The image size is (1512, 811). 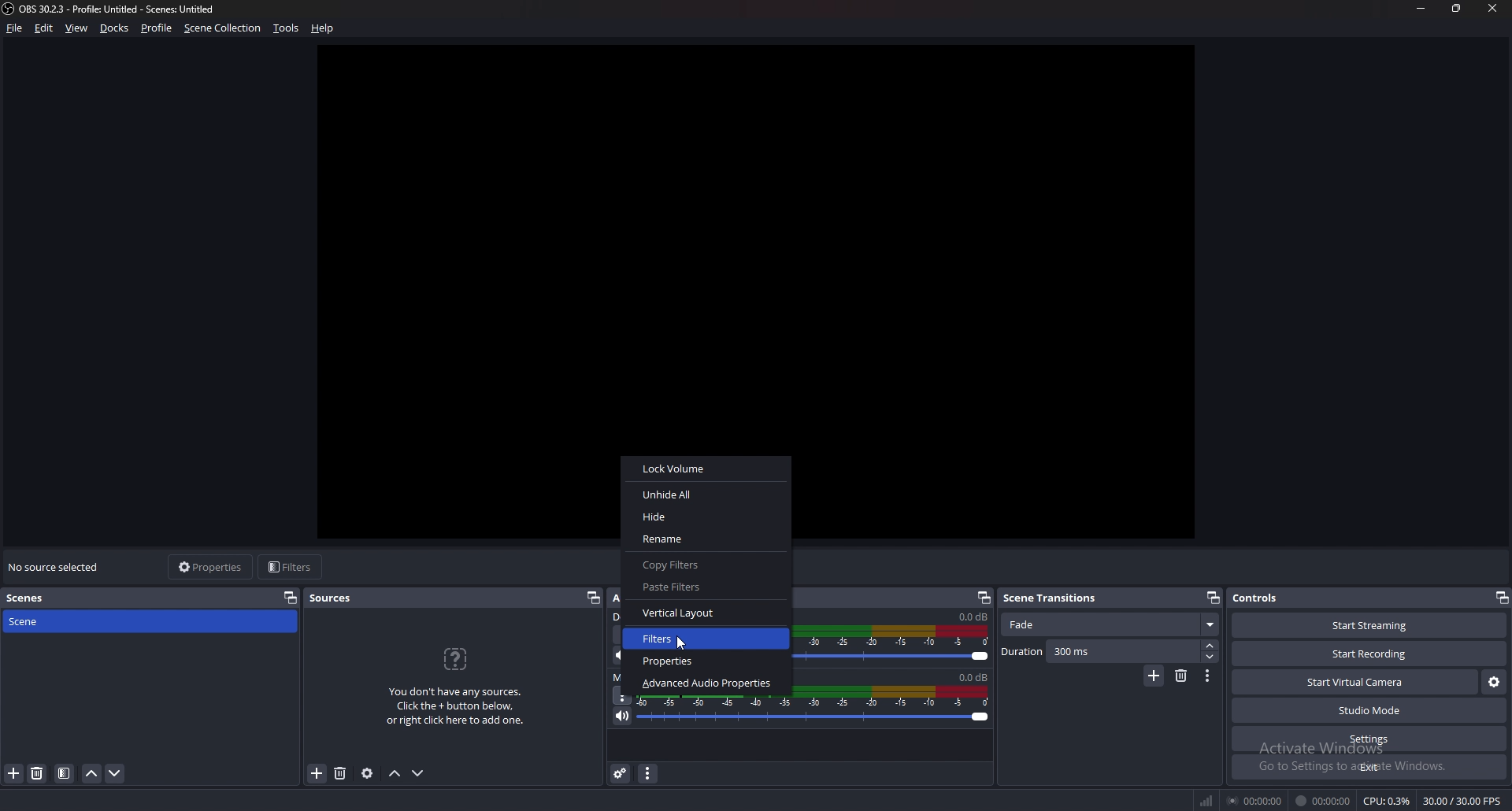 What do you see at coordinates (39, 773) in the screenshot?
I see `delete scene` at bounding box center [39, 773].